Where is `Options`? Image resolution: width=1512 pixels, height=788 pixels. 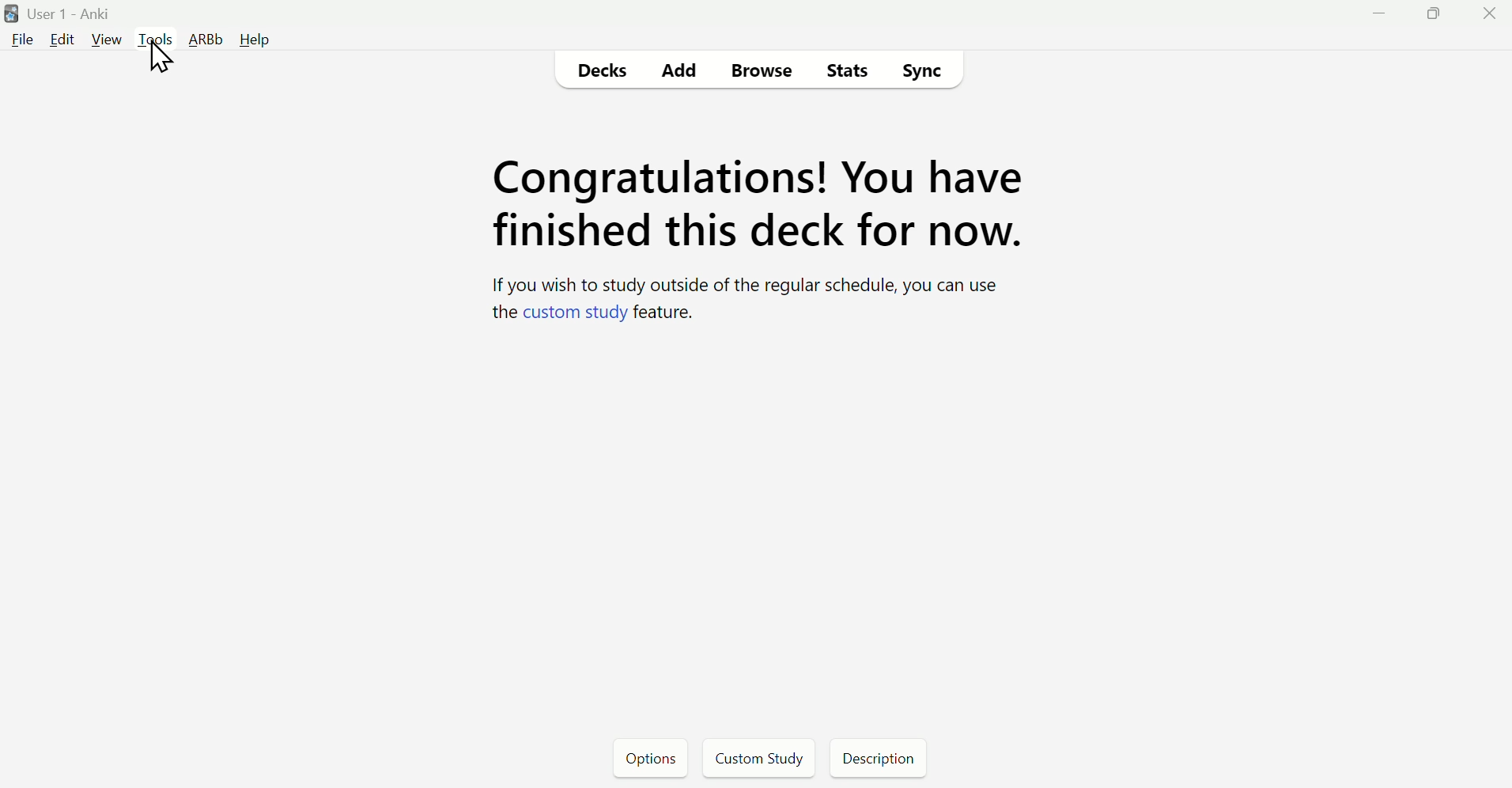 Options is located at coordinates (652, 758).